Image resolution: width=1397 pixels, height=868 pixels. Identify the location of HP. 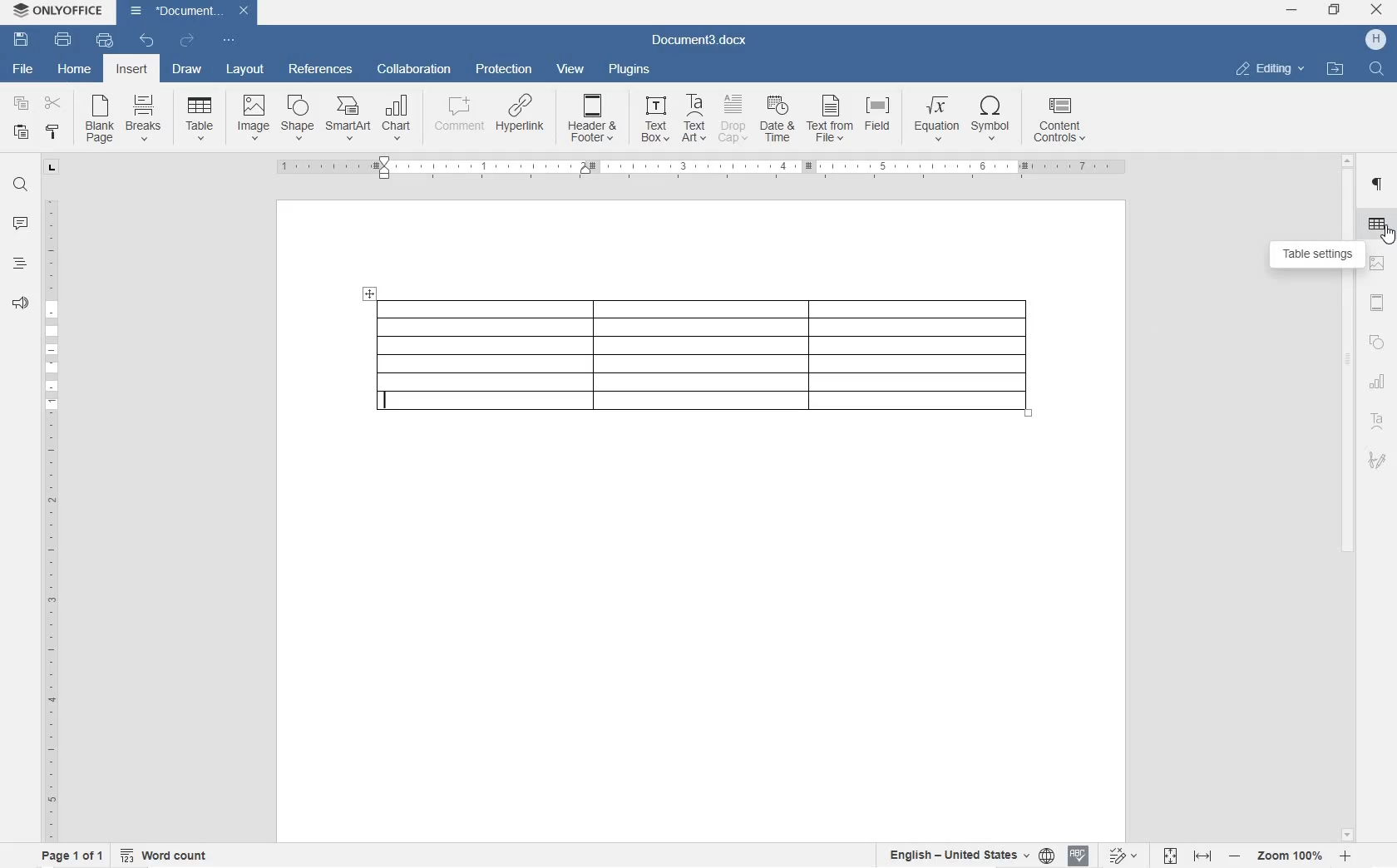
(1377, 40).